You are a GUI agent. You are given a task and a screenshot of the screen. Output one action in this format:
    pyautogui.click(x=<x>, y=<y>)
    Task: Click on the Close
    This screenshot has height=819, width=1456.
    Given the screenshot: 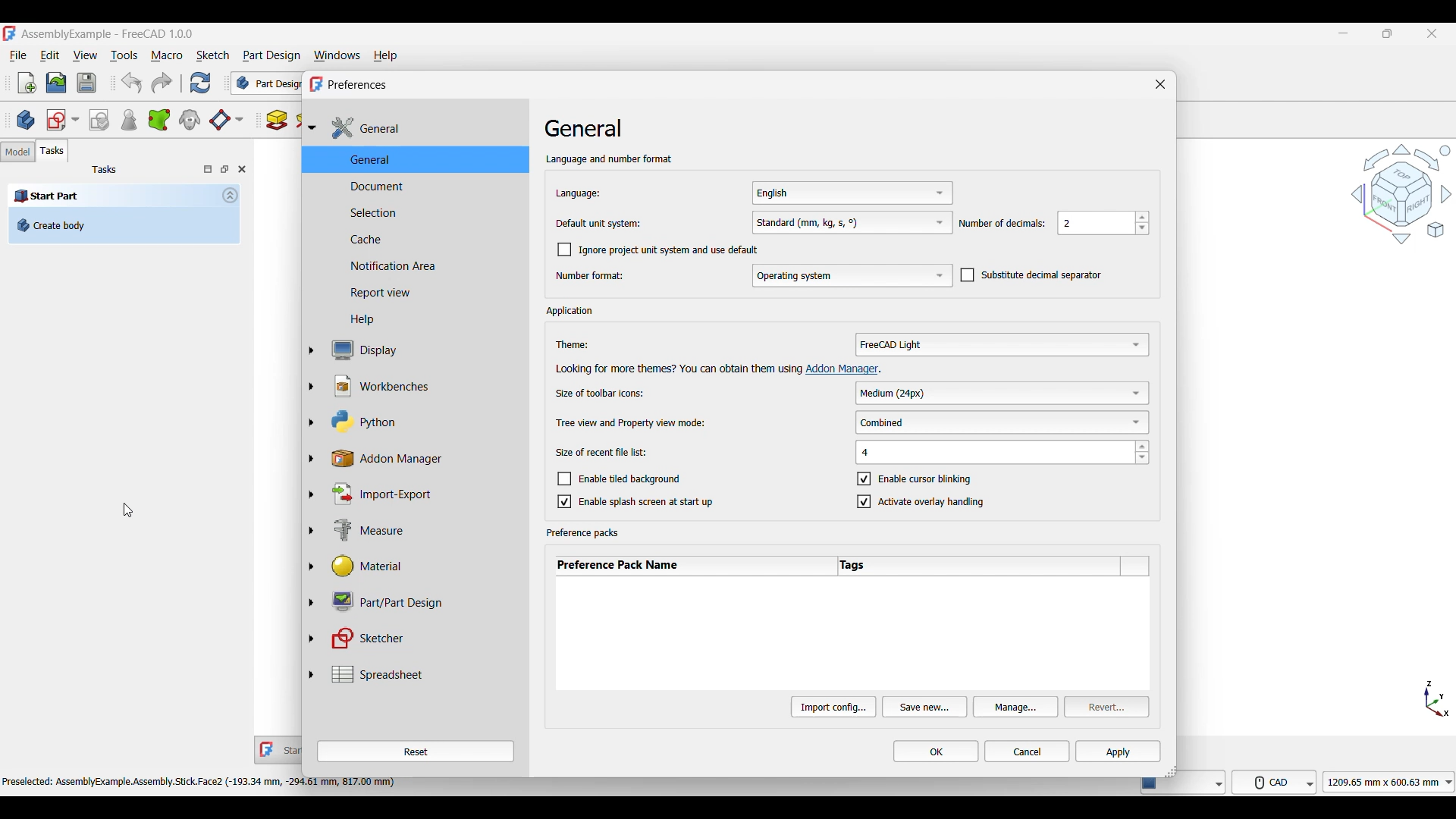 What is the action you would take?
    pyautogui.click(x=1160, y=84)
    